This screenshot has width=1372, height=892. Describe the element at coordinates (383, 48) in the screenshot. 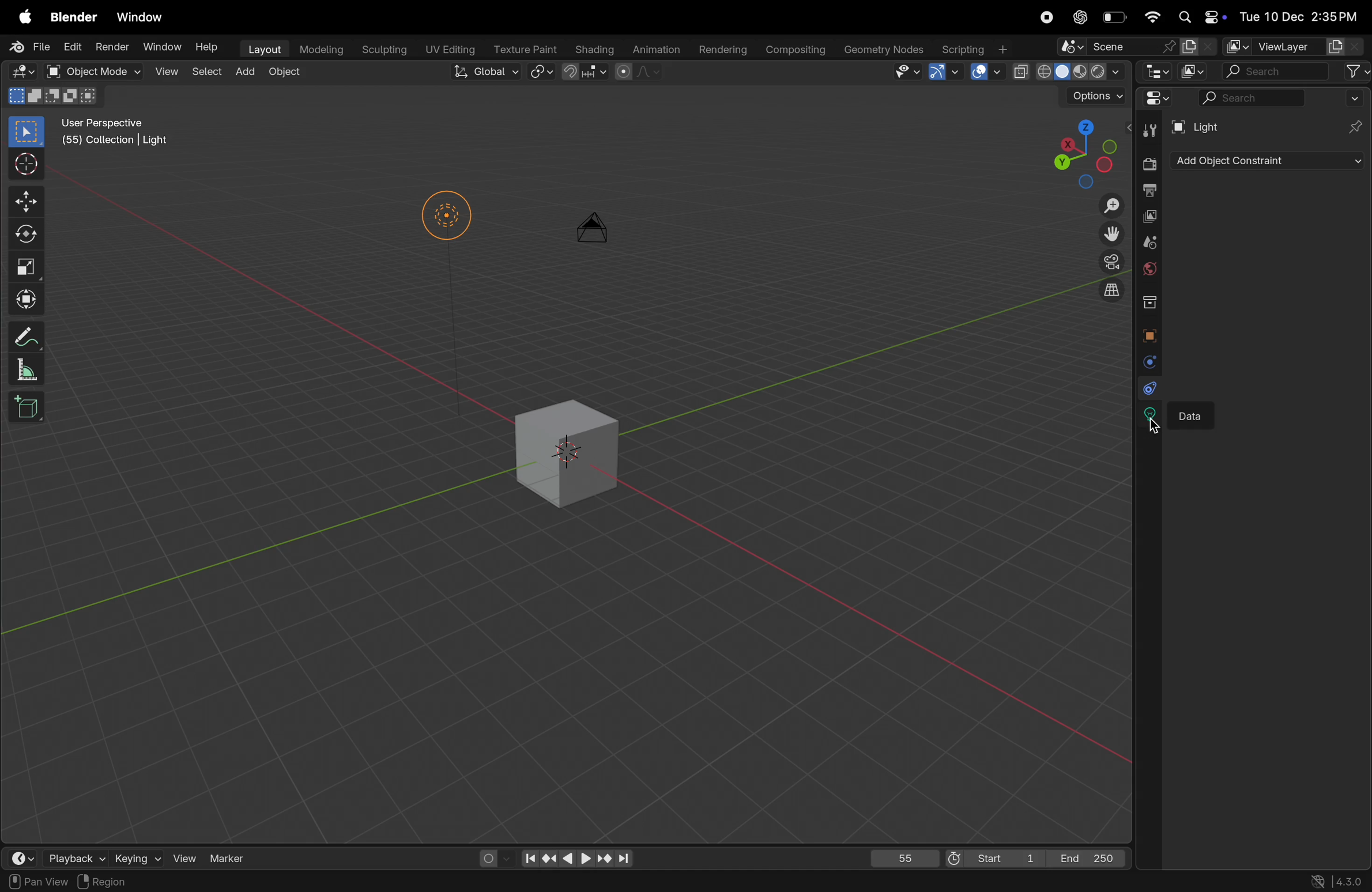

I see `sculptiong` at that location.